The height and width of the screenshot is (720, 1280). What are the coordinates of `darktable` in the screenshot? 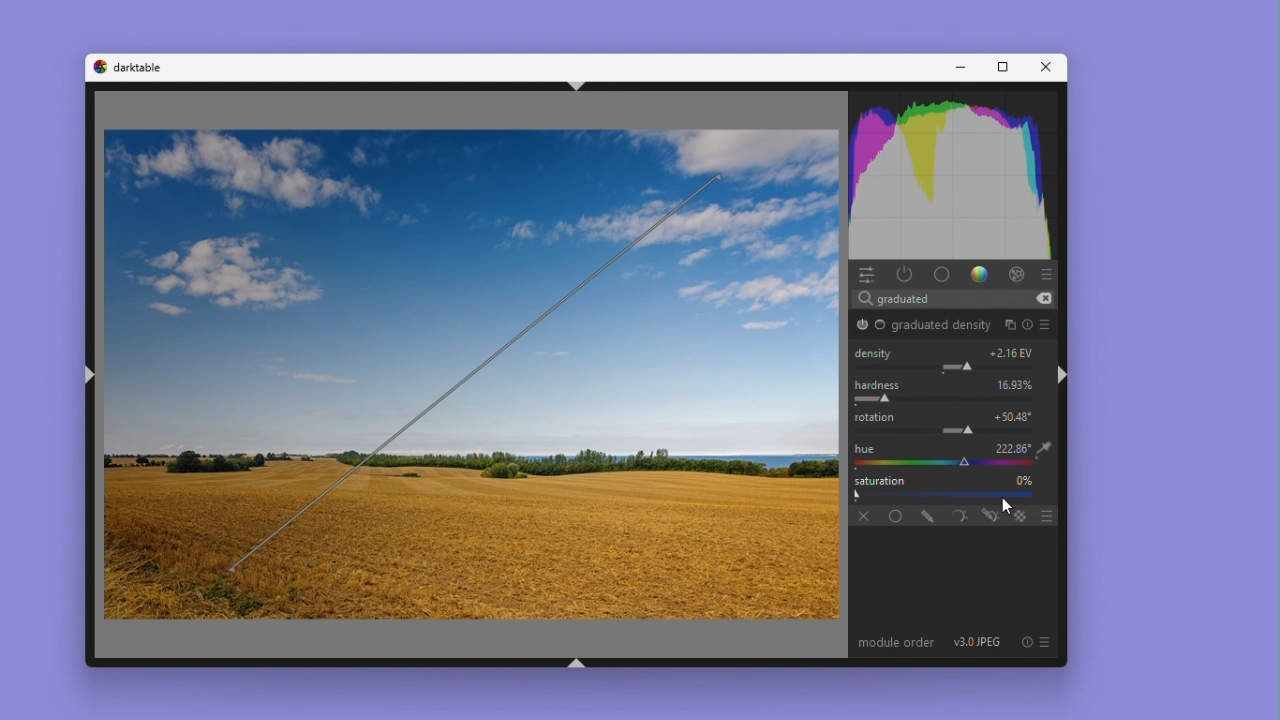 It's located at (143, 67).